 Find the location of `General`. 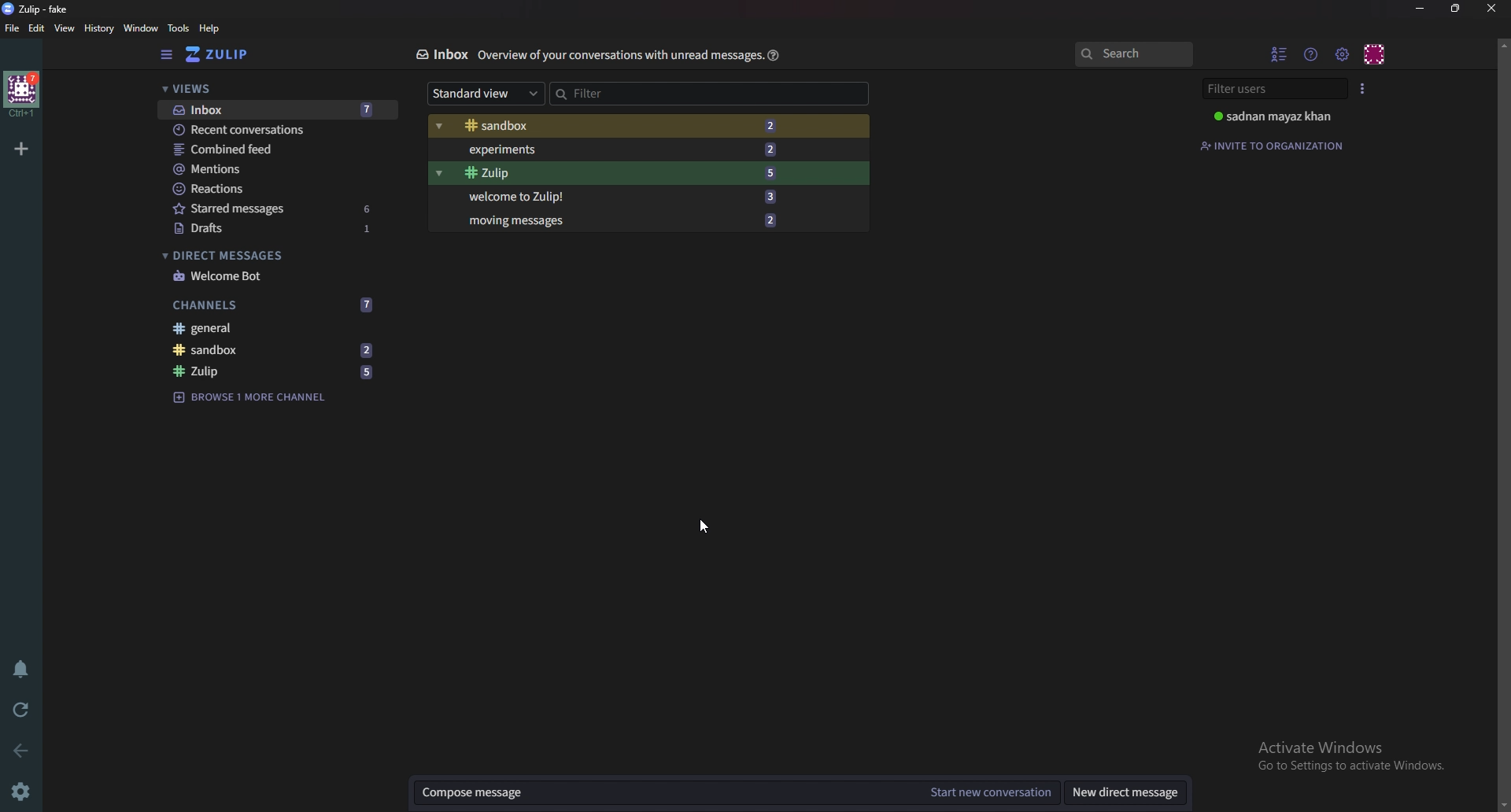

General is located at coordinates (266, 330).